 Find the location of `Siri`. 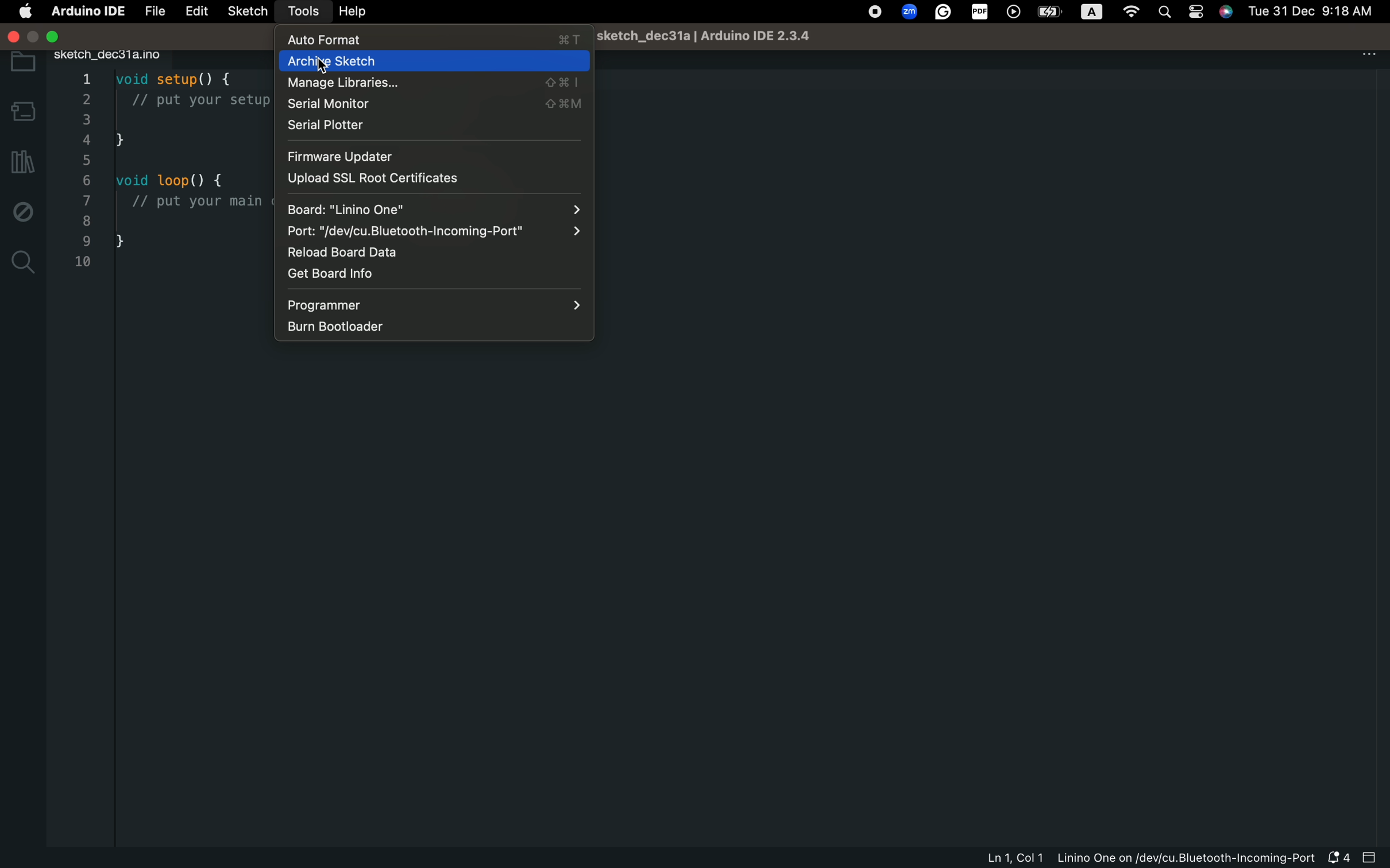

Siri is located at coordinates (1227, 11).